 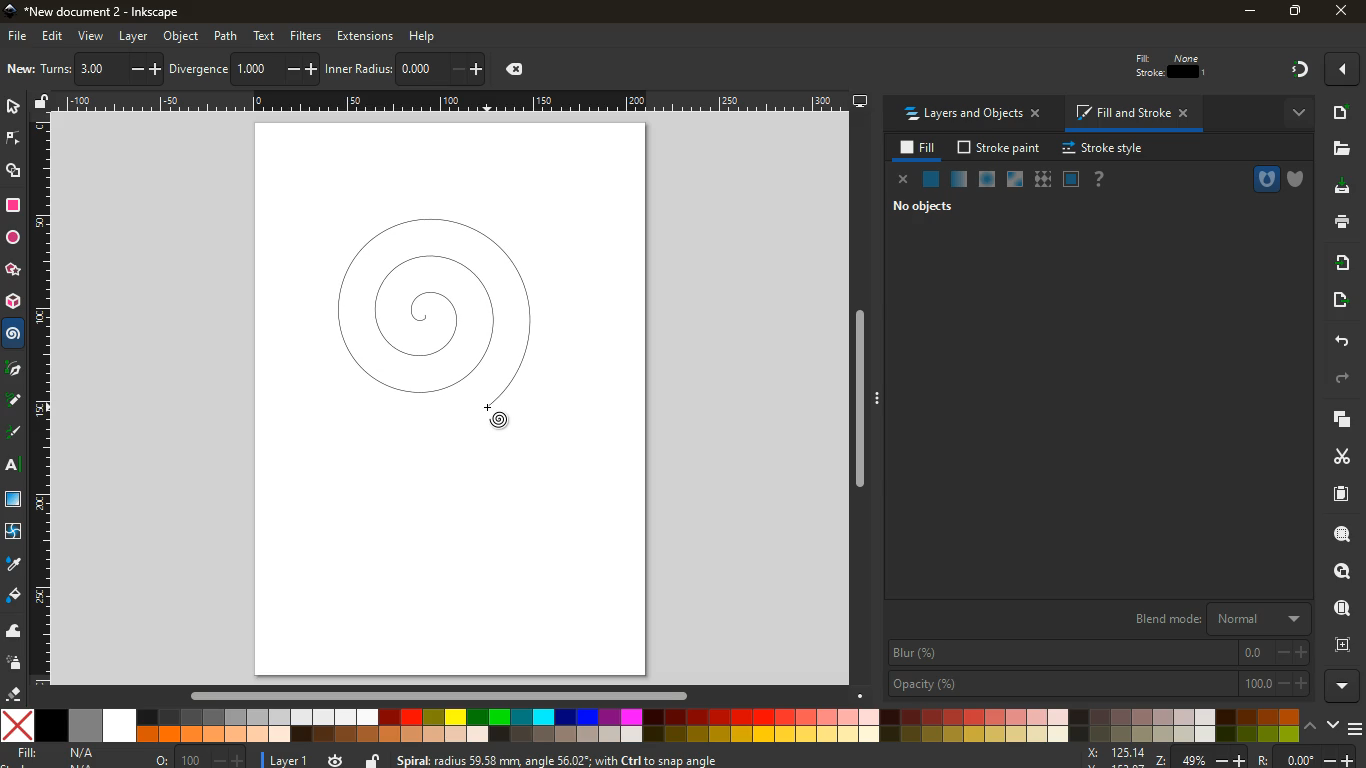 I want to click on spiral, so click(x=434, y=315).